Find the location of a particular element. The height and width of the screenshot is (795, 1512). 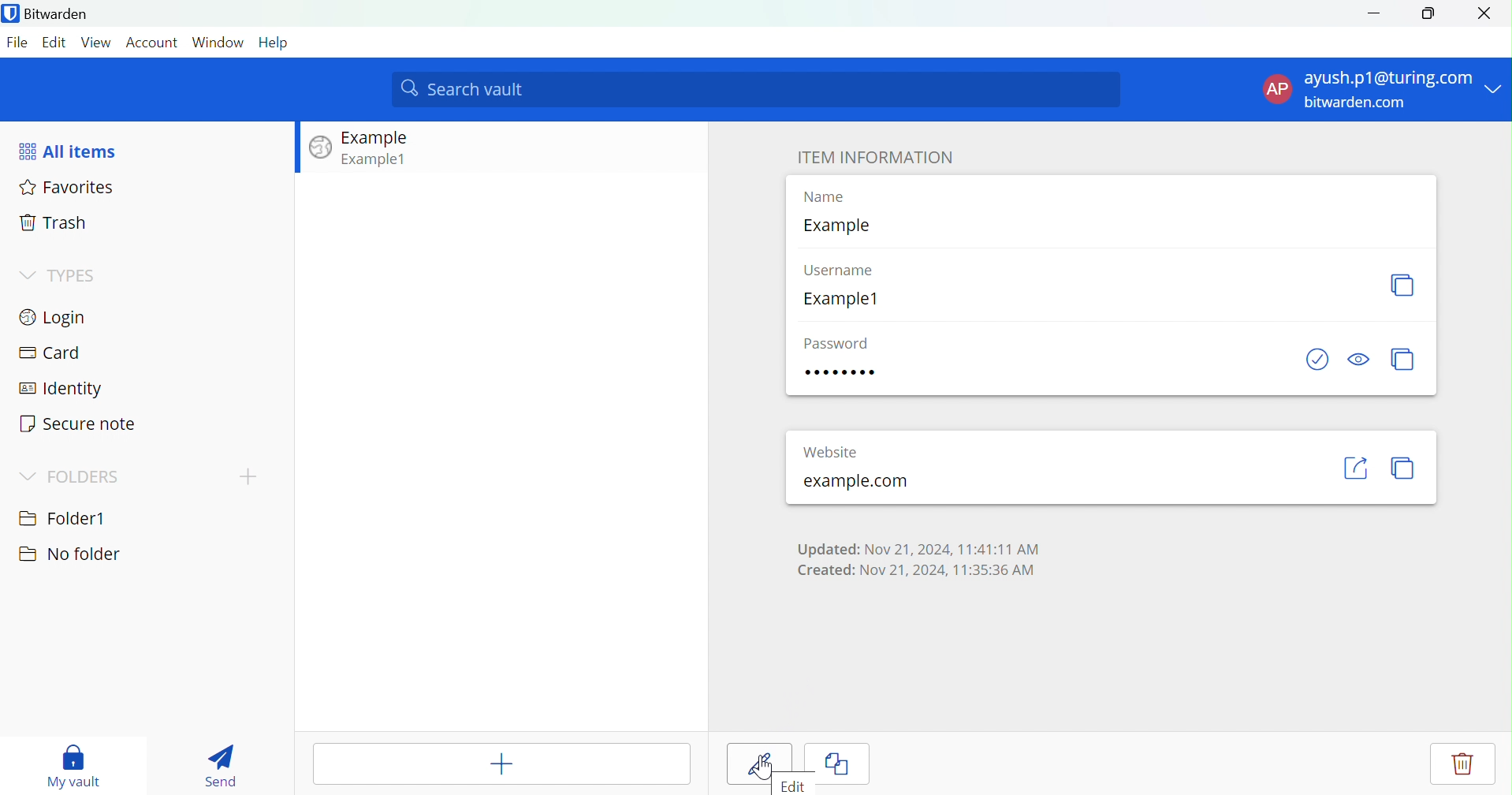

Send is located at coordinates (220, 766).